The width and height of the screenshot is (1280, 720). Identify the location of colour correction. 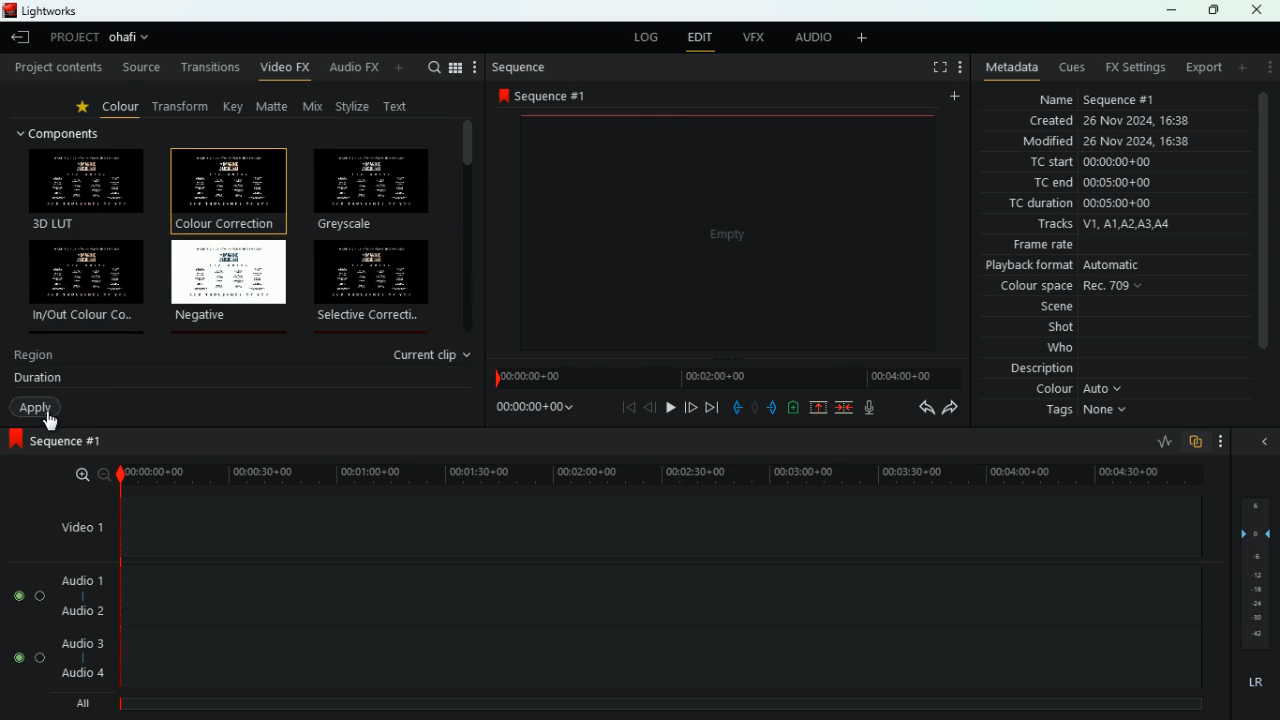
(225, 188).